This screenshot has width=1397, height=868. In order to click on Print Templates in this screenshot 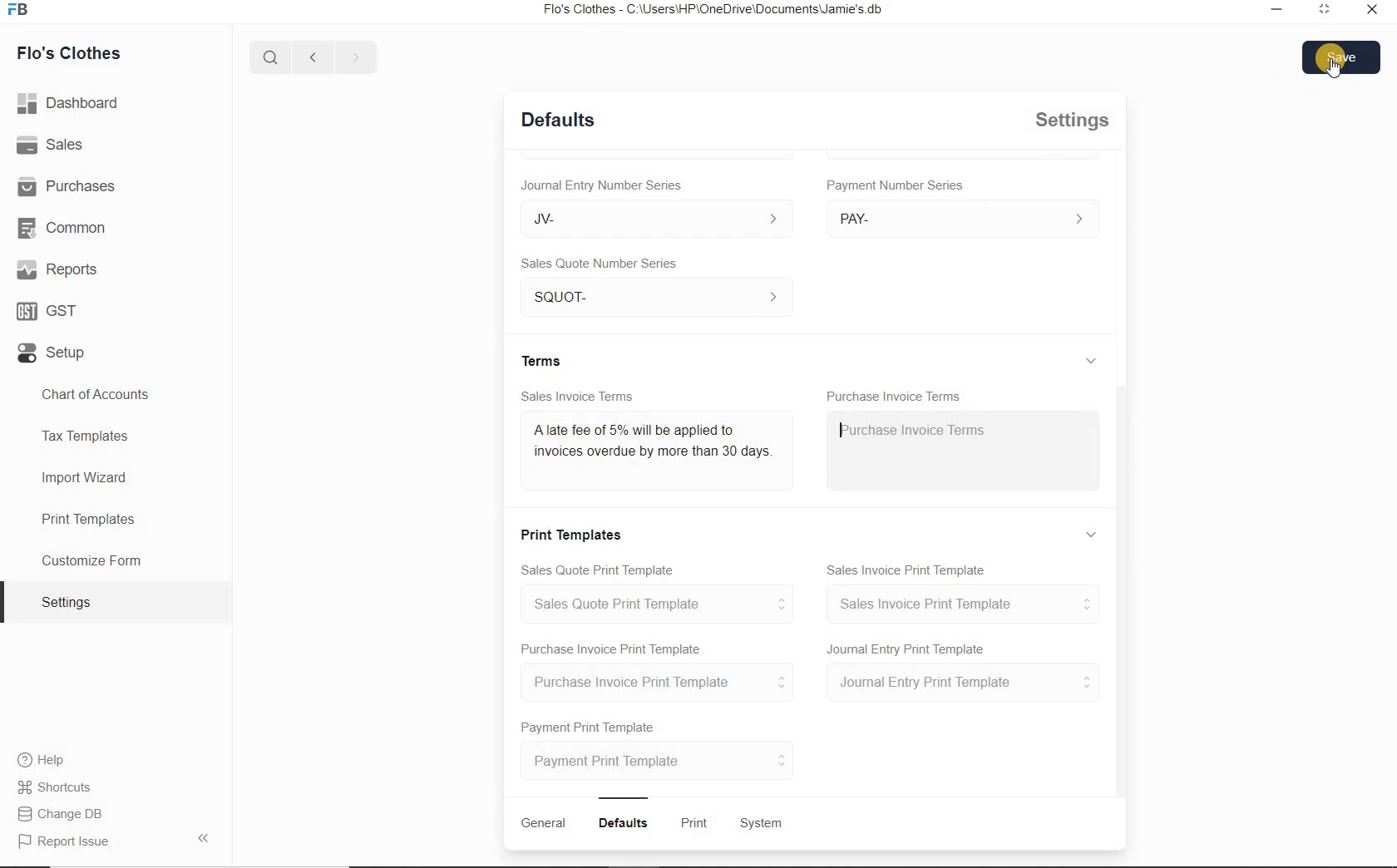, I will do `click(86, 518)`.